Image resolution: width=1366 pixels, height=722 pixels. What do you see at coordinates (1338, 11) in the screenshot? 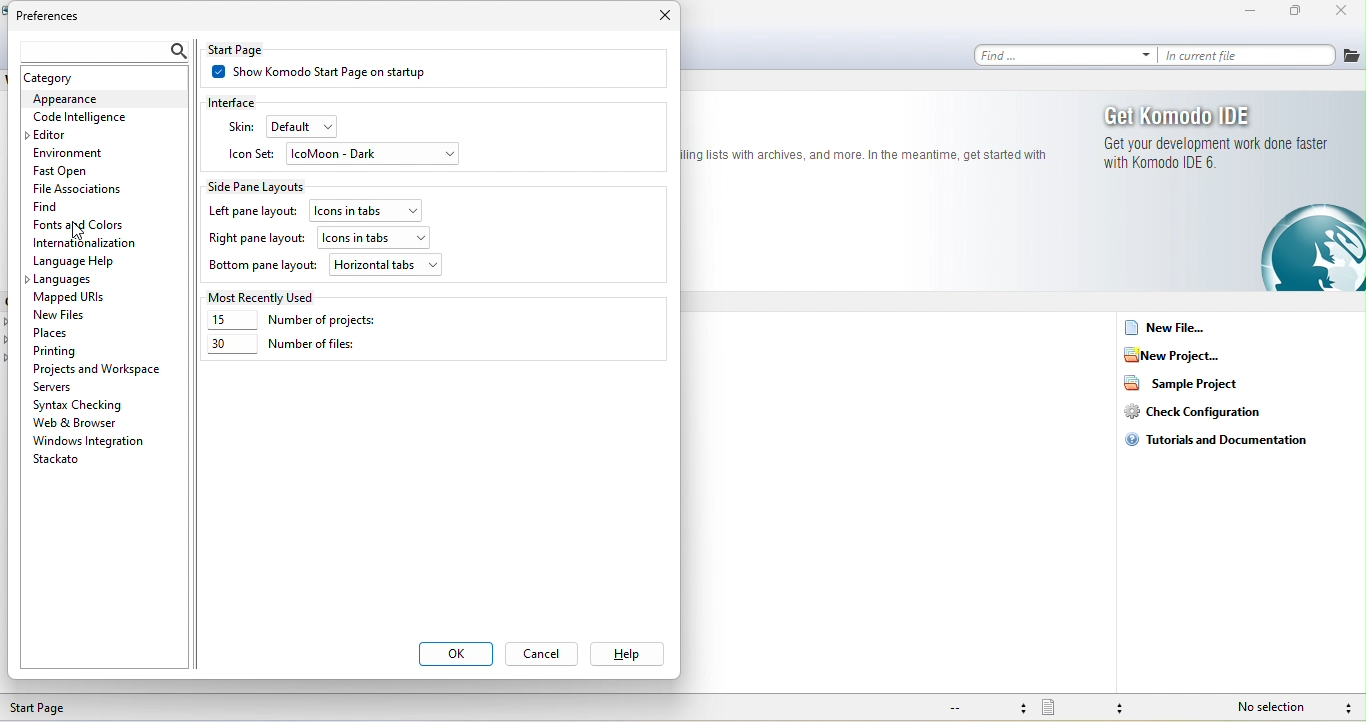
I see `close` at bounding box center [1338, 11].